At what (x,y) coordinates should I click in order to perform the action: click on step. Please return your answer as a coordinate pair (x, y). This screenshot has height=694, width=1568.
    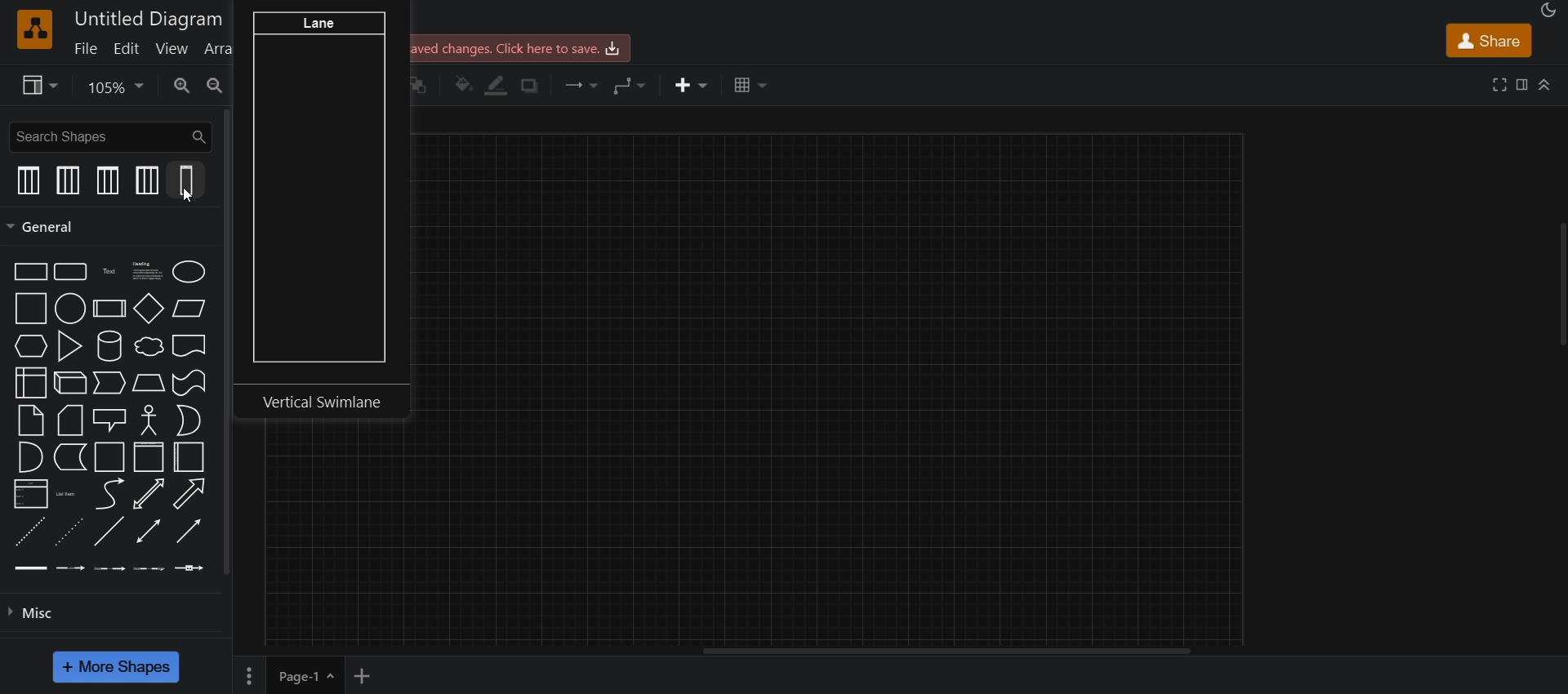
    Looking at the image, I should click on (109, 383).